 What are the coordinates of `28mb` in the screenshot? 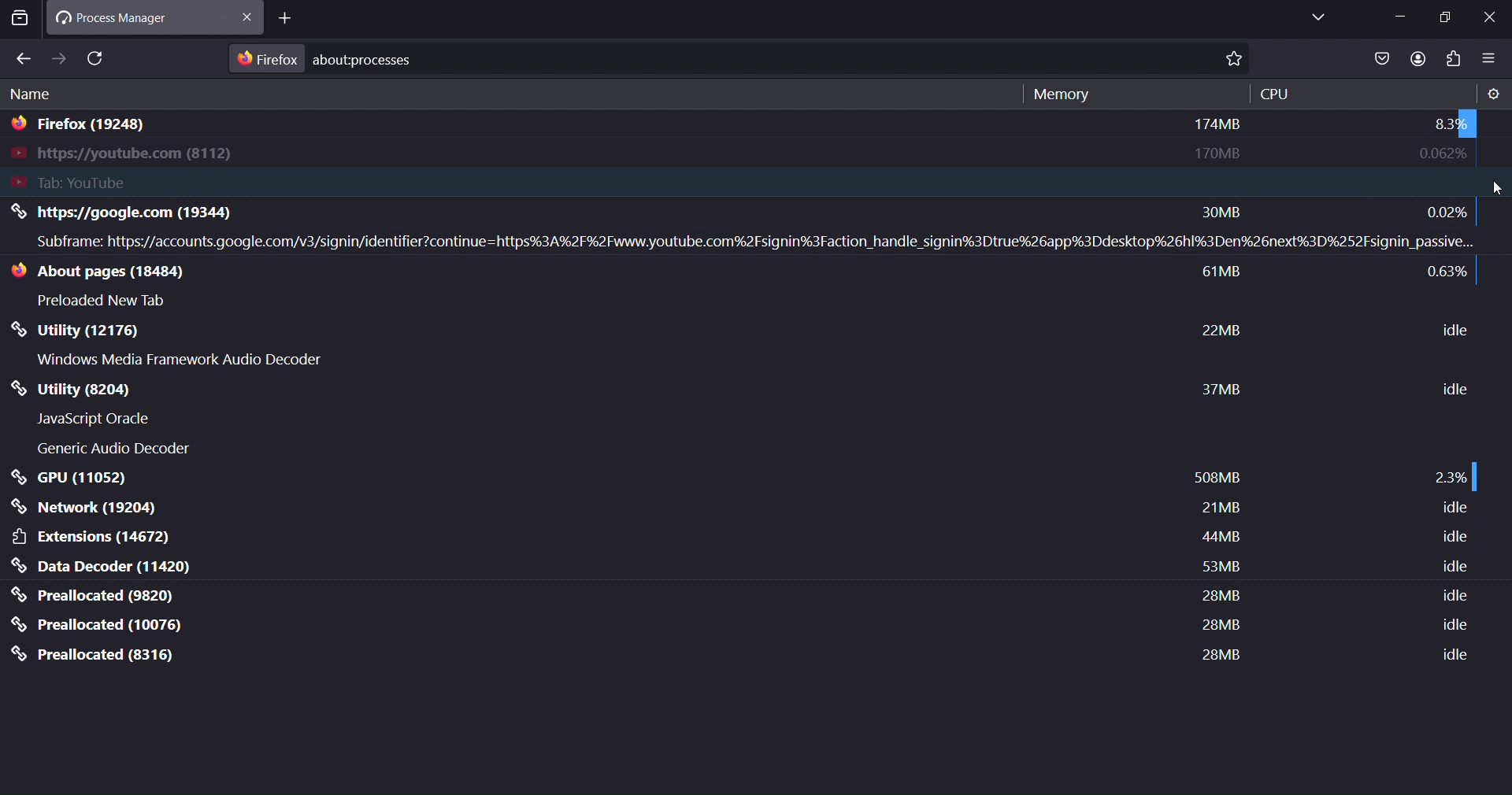 It's located at (1217, 653).